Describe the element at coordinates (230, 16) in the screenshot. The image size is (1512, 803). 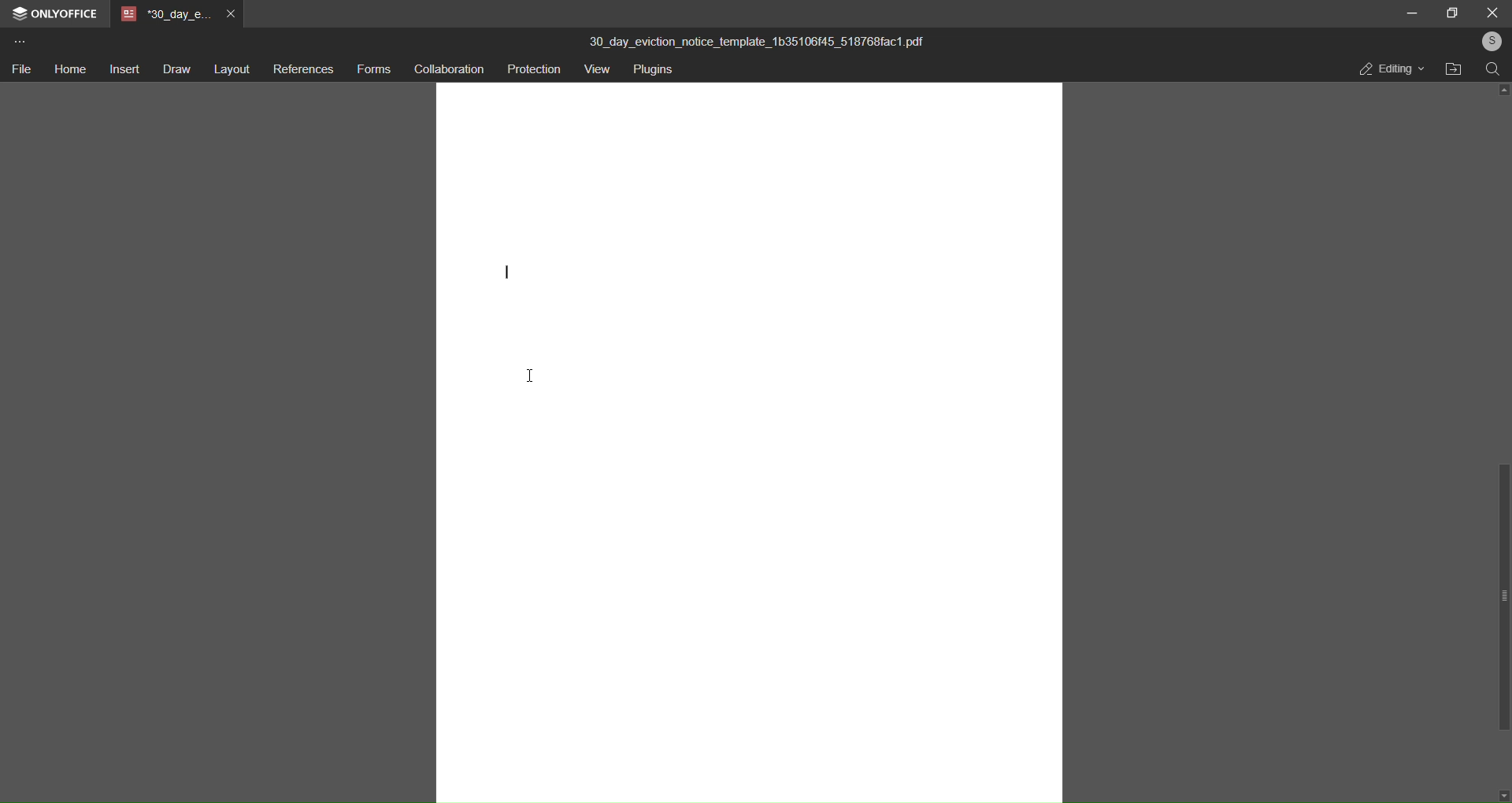
I see `close tab` at that location.